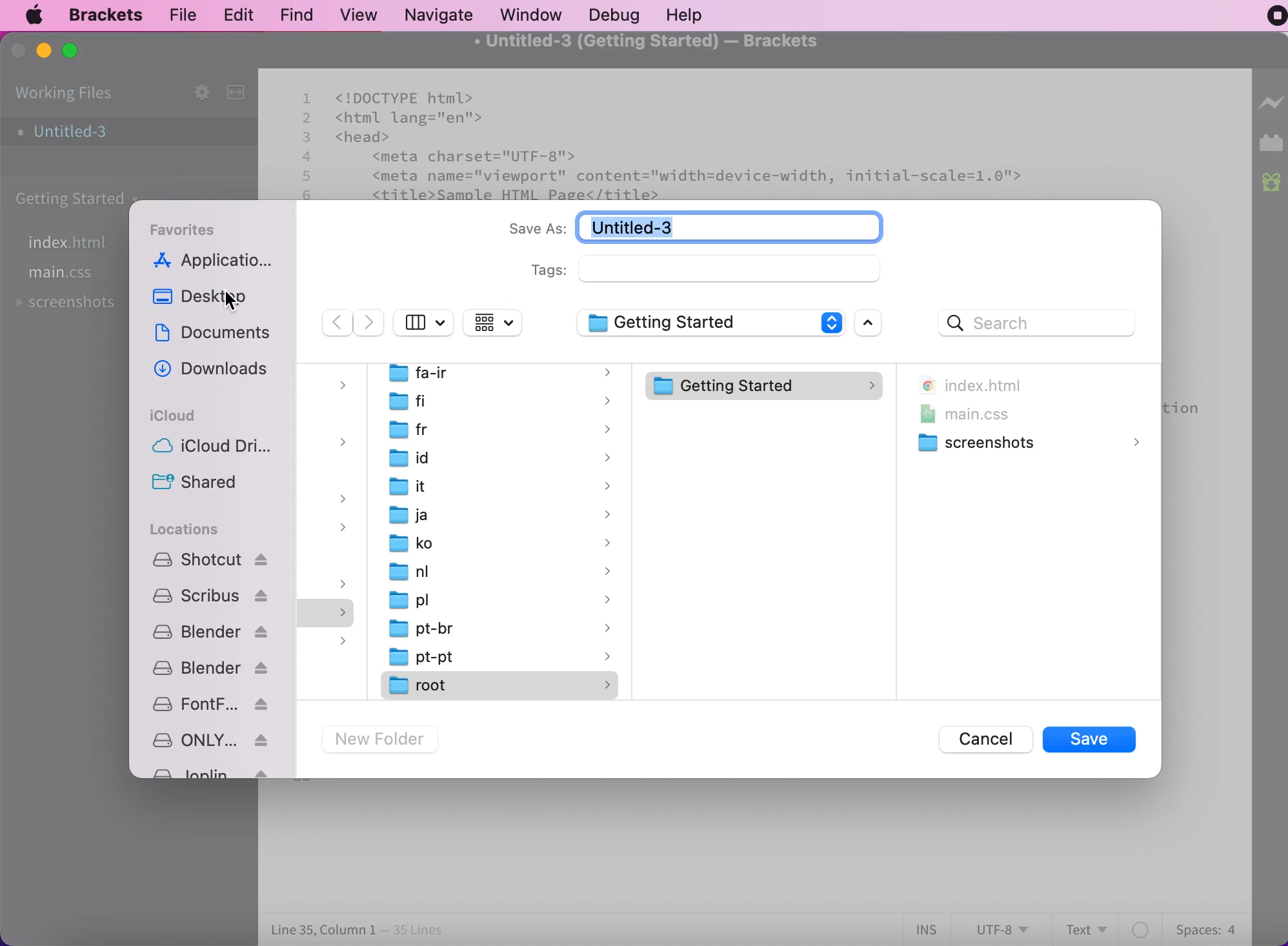 This screenshot has width=1288, height=946. Describe the element at coordinates (343, 583) in the screenshot. I see `dropdown` at that location.